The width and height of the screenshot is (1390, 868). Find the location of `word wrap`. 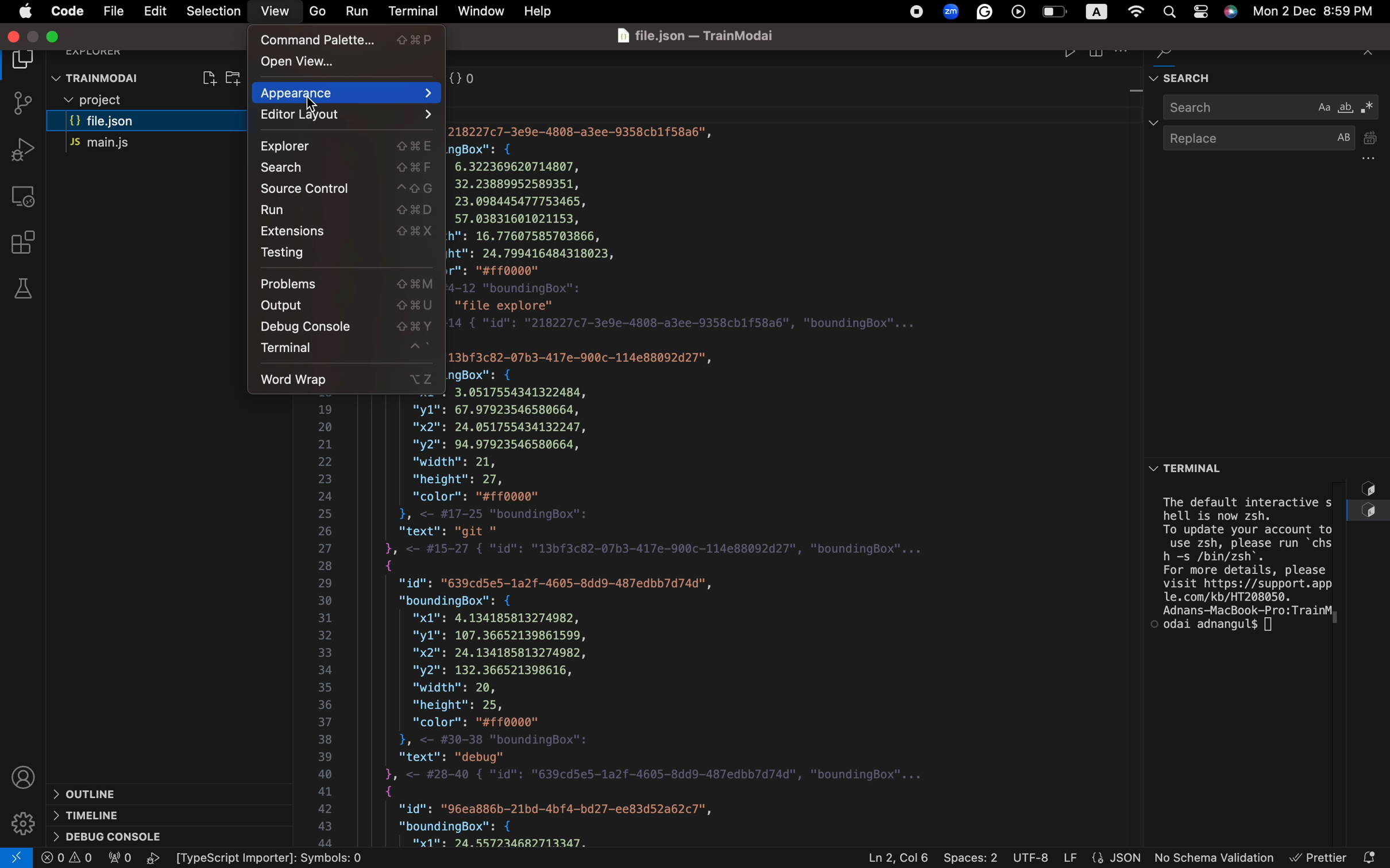

word wrap is located at coordinates (349, 377).